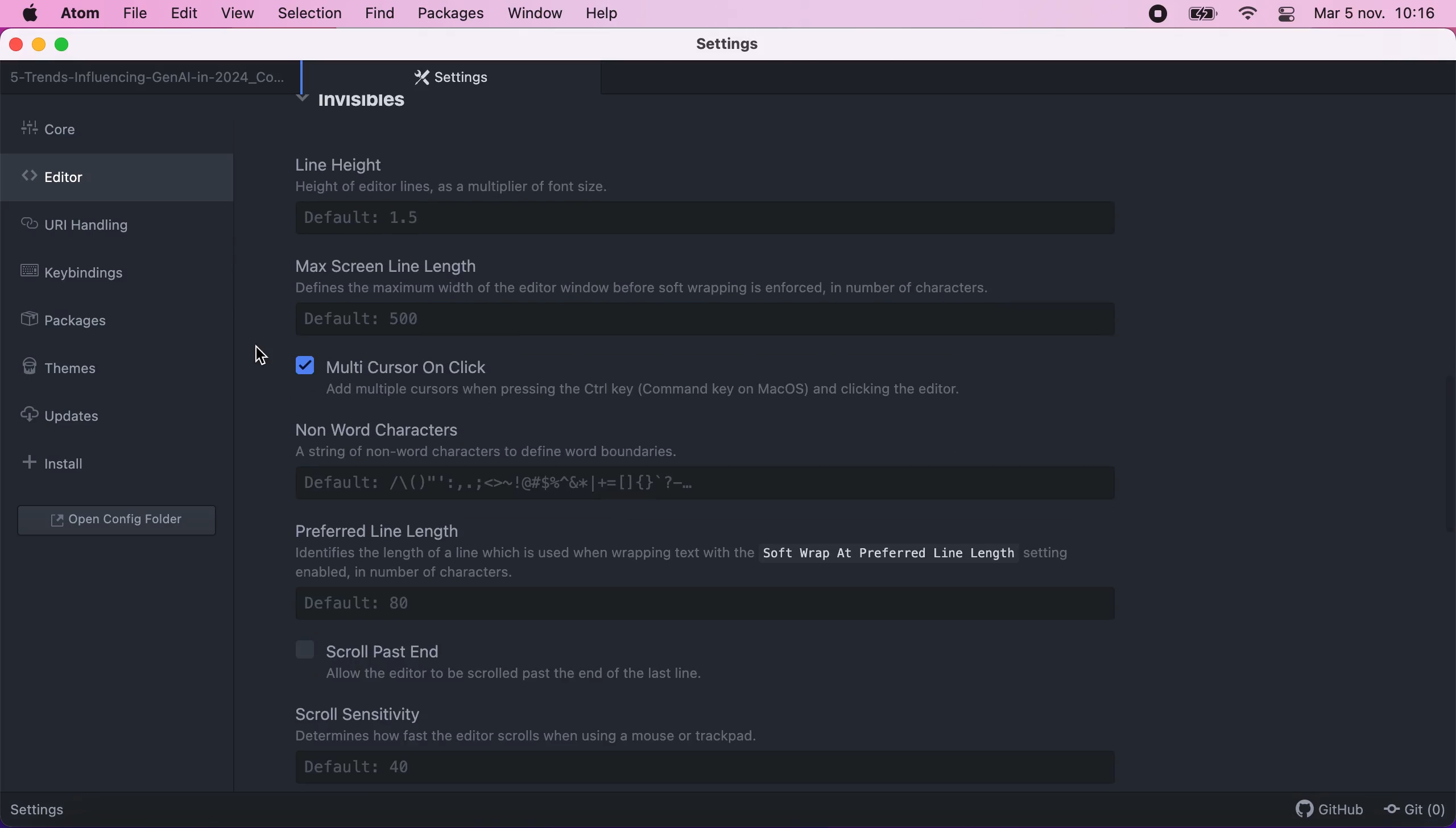 The height and width of the screenshot is (828, 1456). I want to click on atom, so click(79, 13).